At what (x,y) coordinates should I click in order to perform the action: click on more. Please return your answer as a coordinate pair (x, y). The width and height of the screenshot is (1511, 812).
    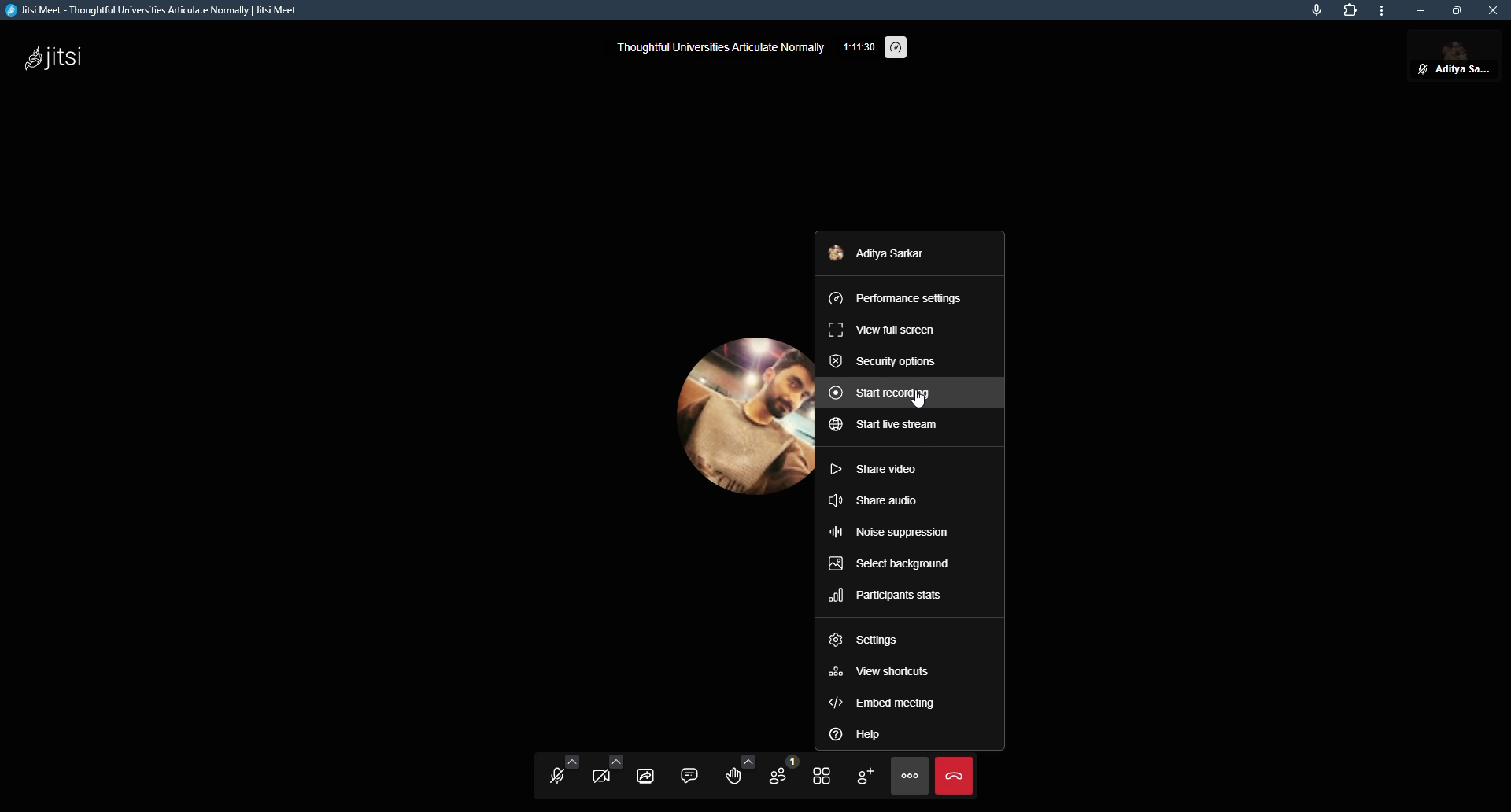
    Looking at the image, I should click on (1380, 13).